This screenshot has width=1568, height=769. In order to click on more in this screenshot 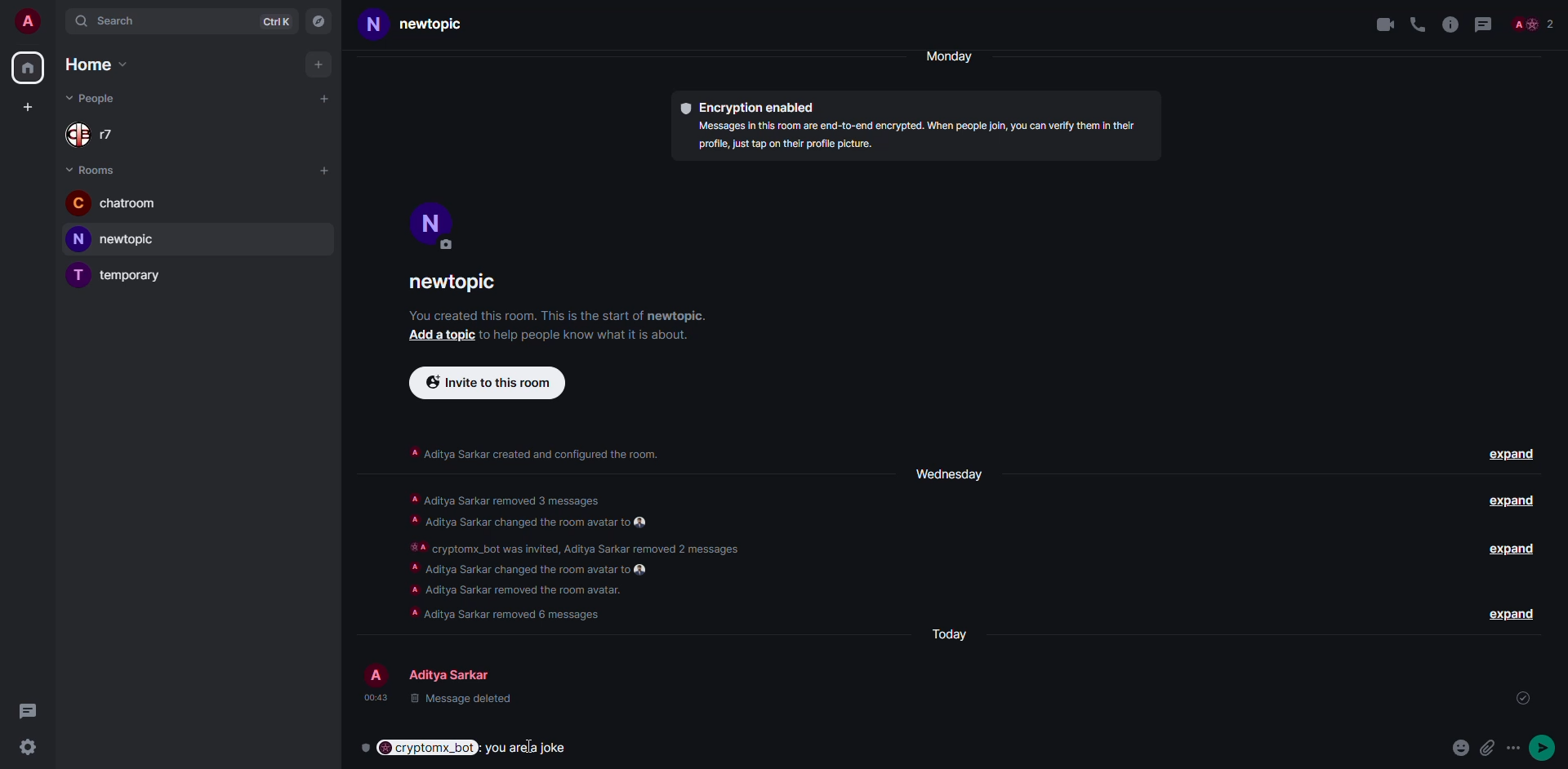, I will do `click(1517, 748)`.